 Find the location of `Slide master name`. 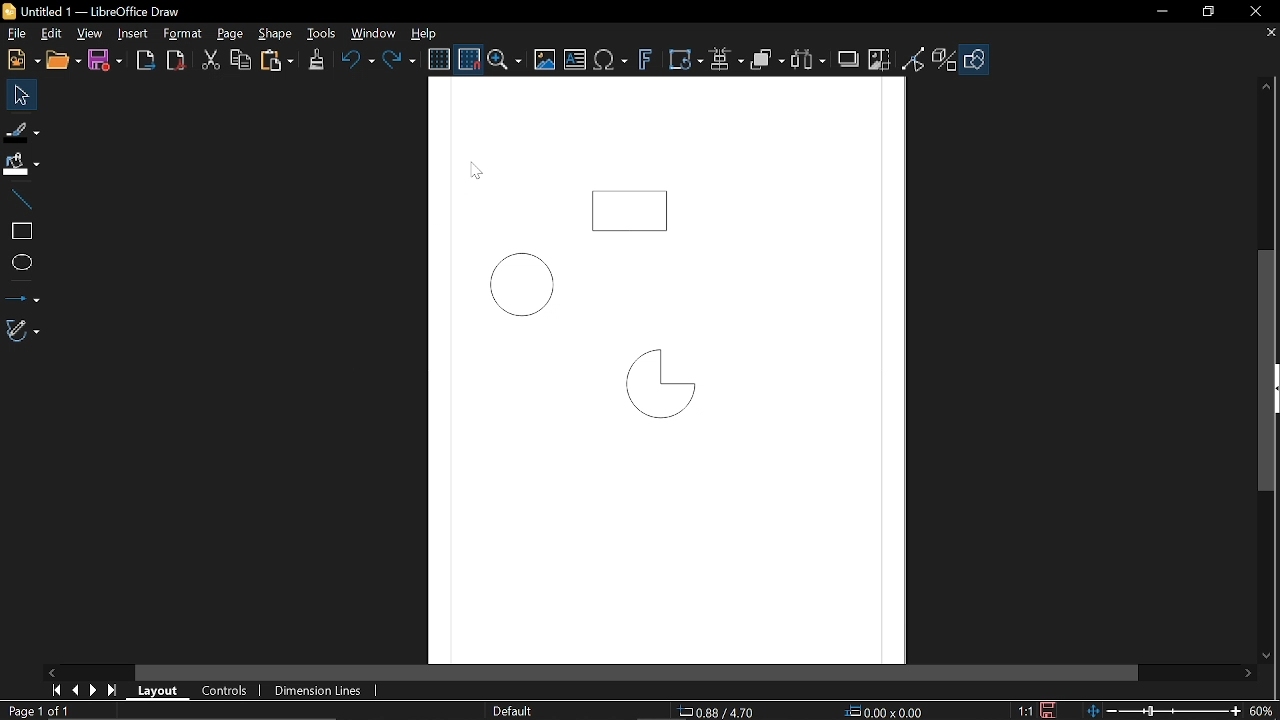

Slide master name is located at coordinates (510, 711).